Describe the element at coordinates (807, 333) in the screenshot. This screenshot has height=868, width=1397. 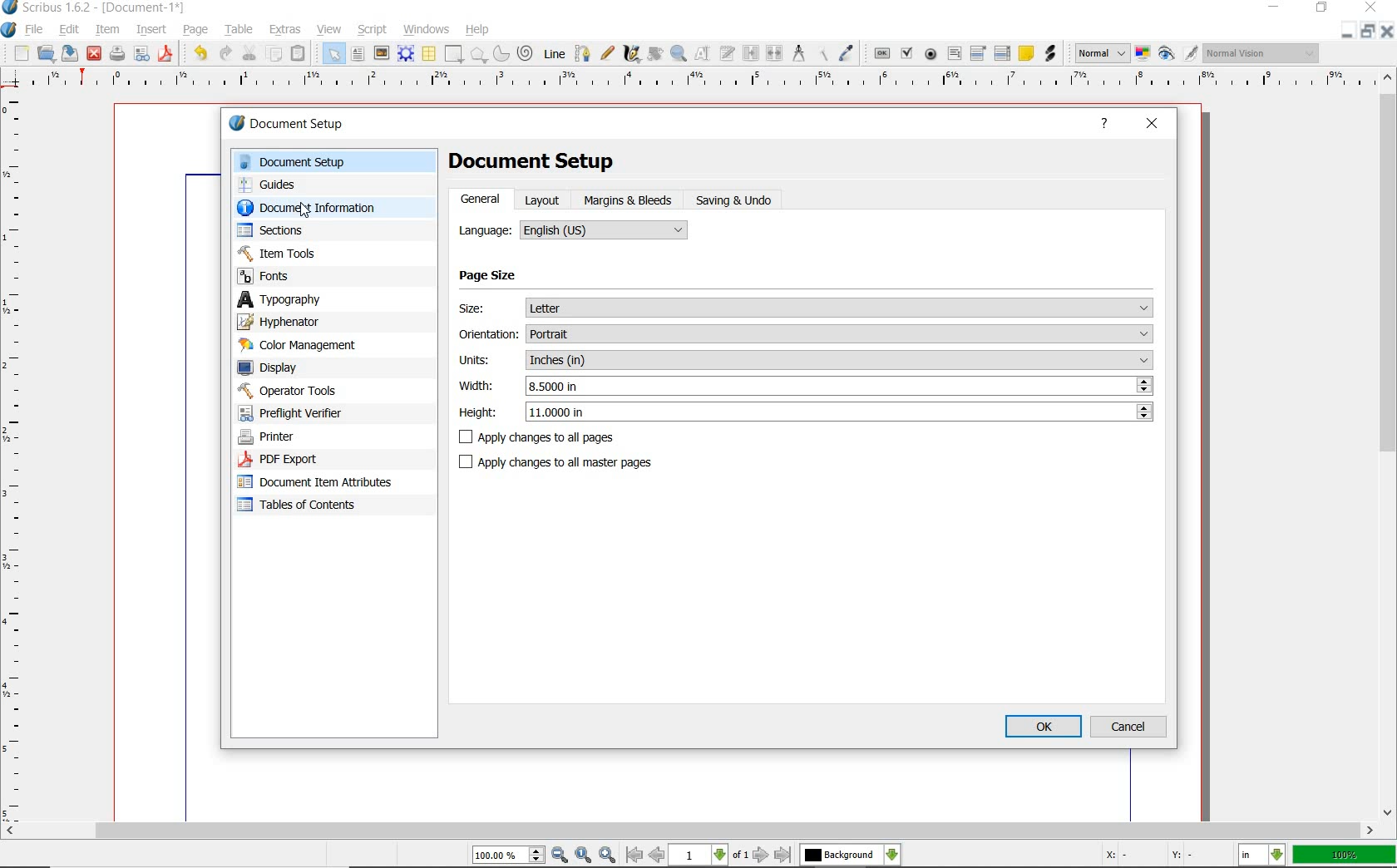
I see `orientation` at that location.